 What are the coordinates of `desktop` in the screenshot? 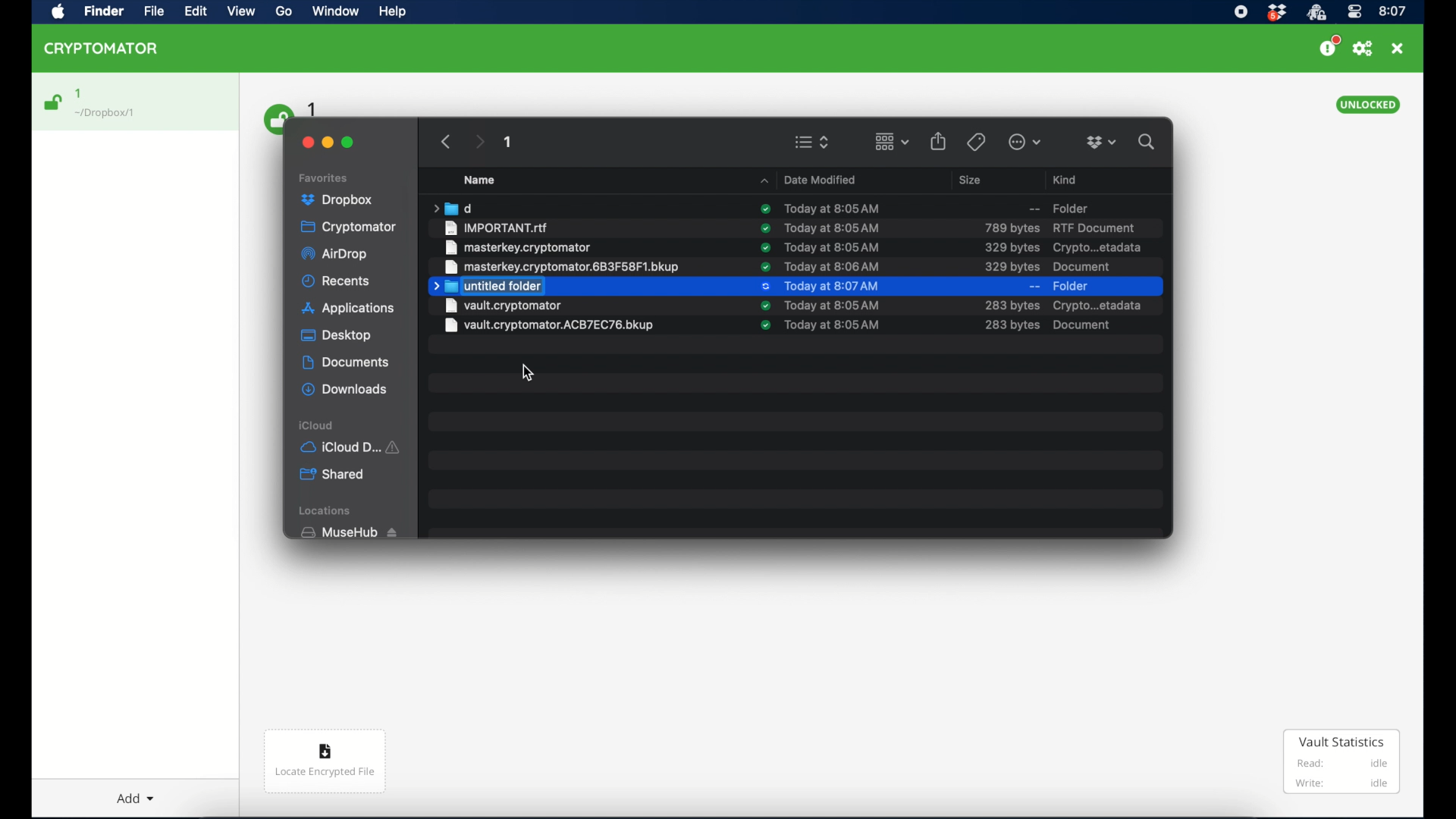 It's located at (336, 336).